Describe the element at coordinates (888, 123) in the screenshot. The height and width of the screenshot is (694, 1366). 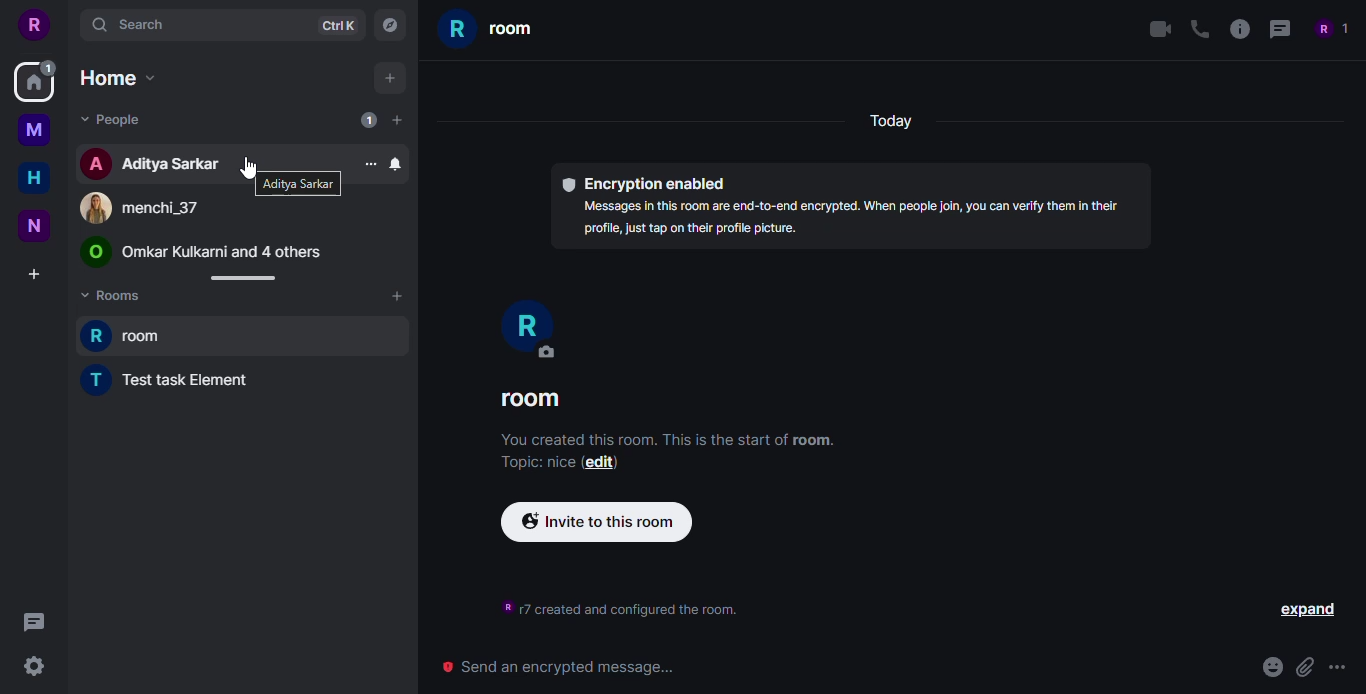
I see `today` at that location.